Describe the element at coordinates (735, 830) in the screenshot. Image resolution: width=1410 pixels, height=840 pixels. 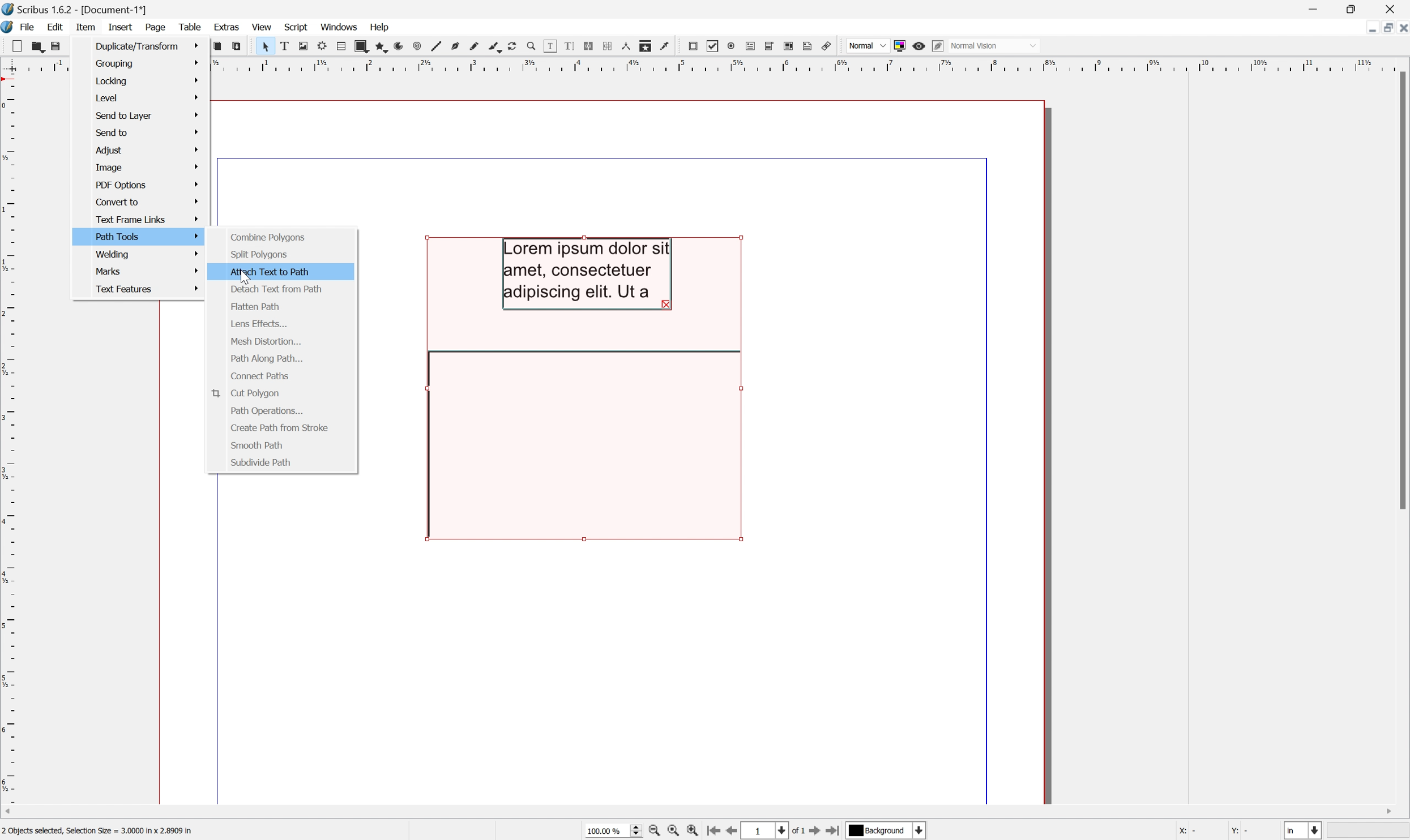
I see `Go to the previous page` at that location.